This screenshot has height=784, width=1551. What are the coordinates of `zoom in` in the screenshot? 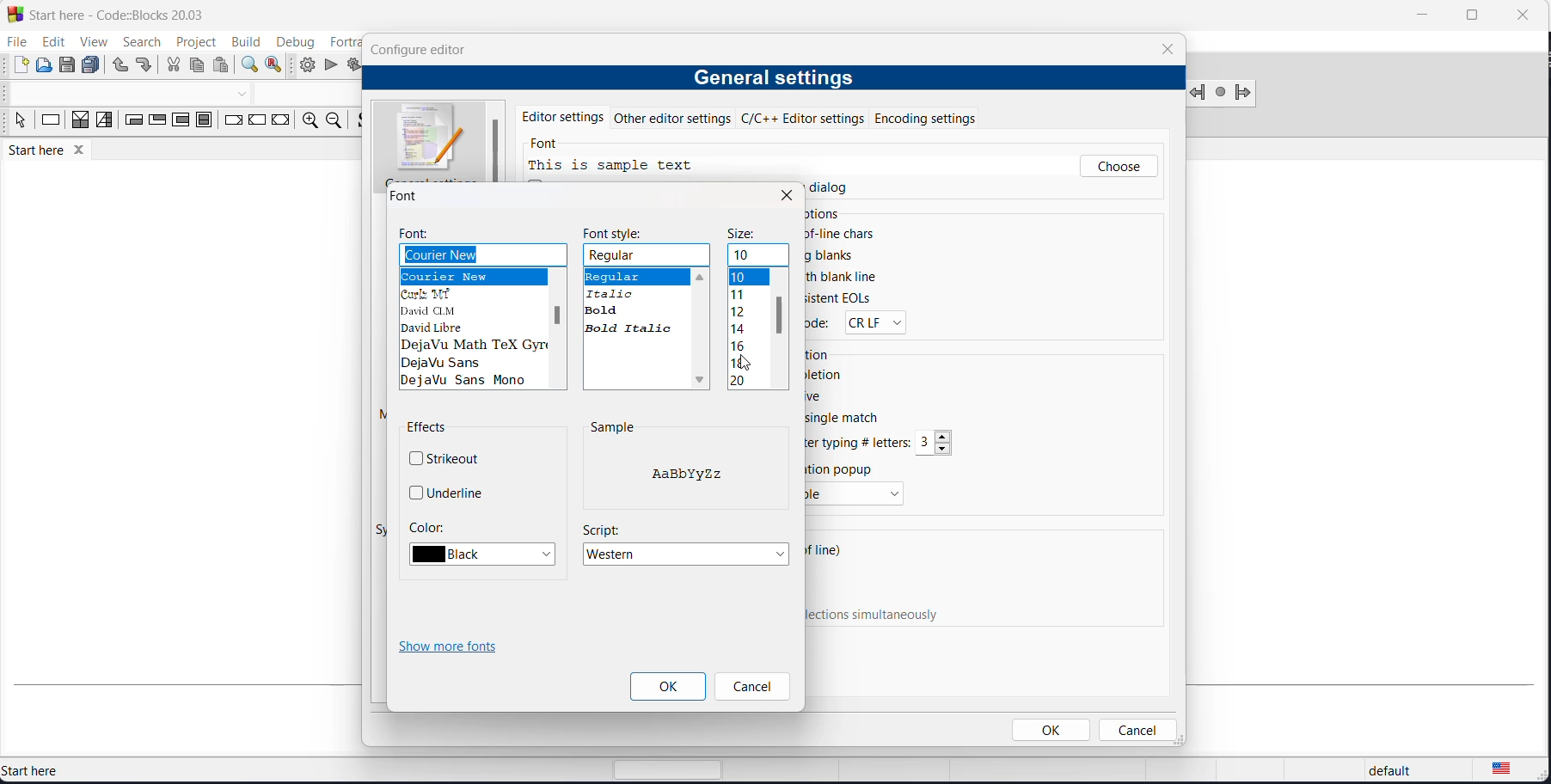 It's located at (307, 122).